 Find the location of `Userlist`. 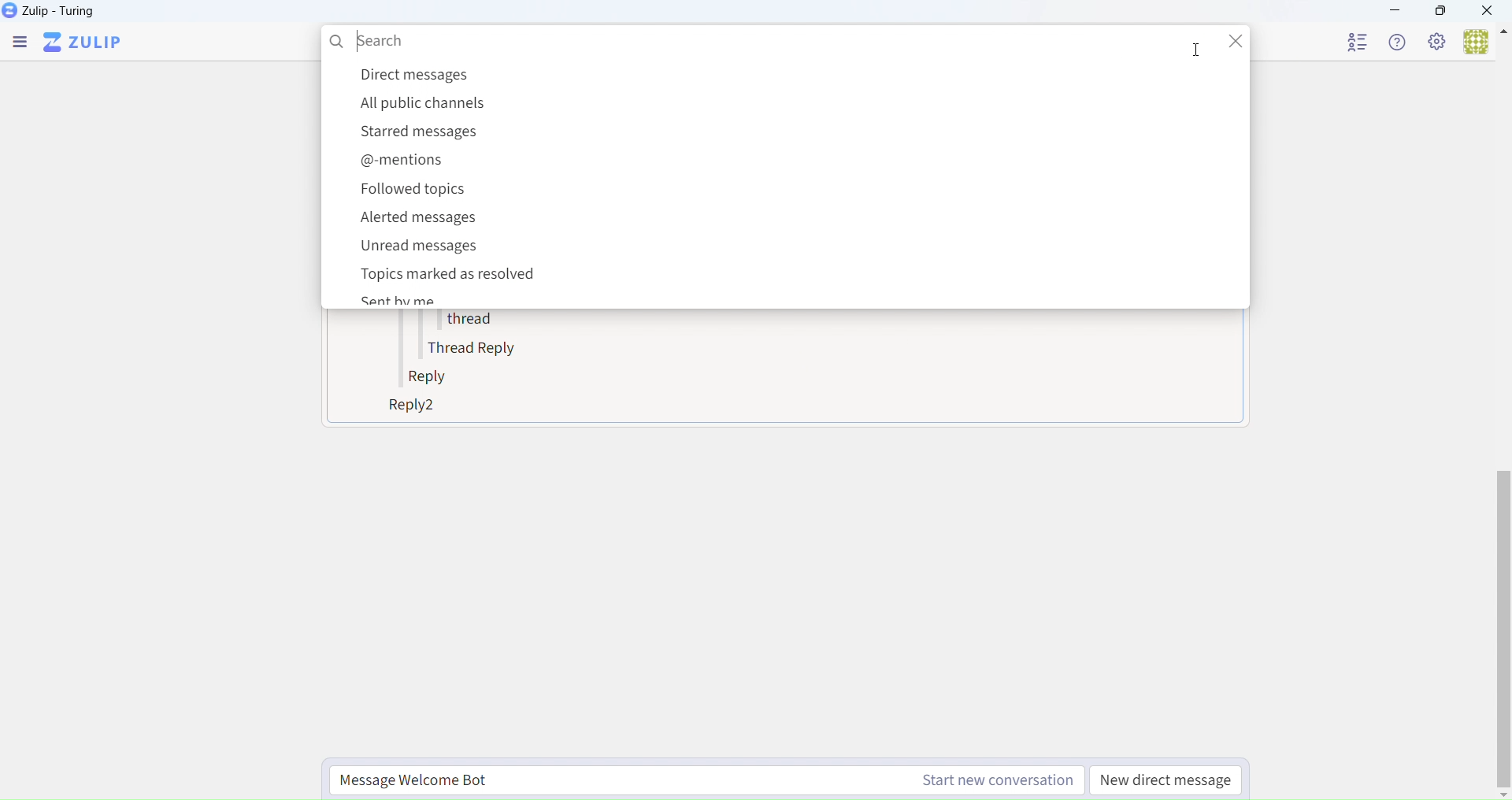

Userlist is located at coordinates (1359, 41).